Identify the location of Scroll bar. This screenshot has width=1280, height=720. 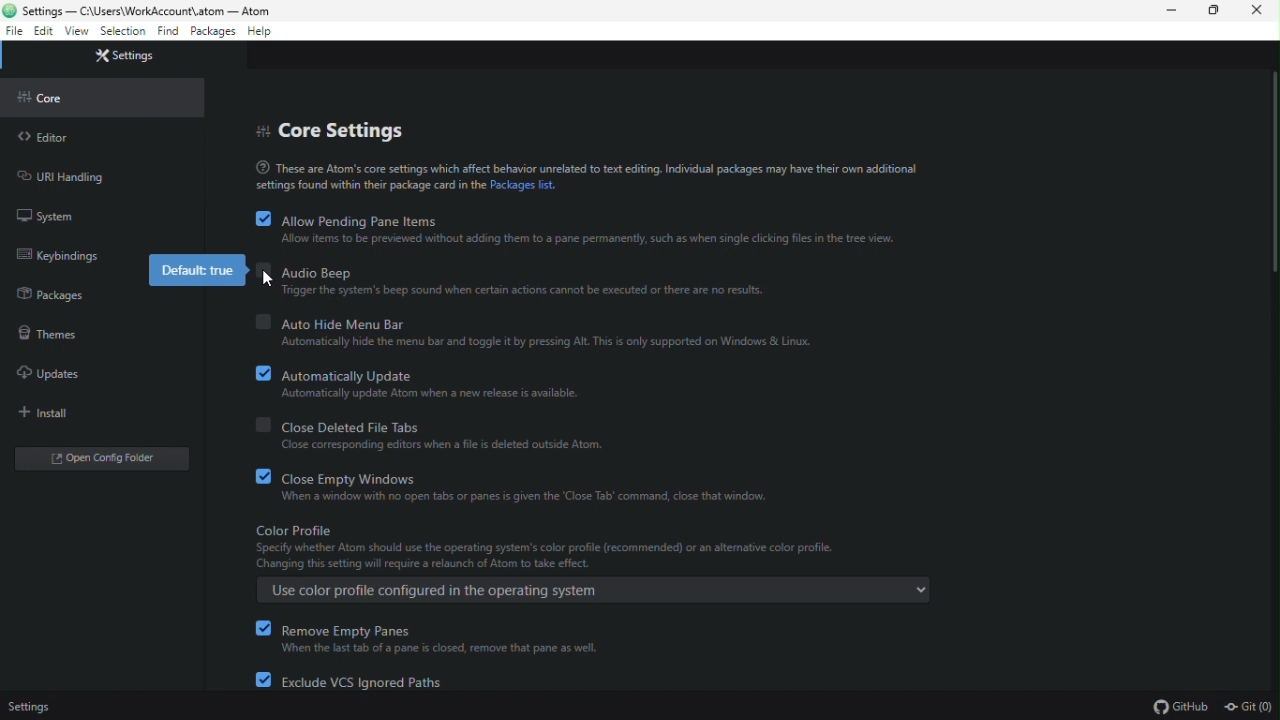
(1272, 376).